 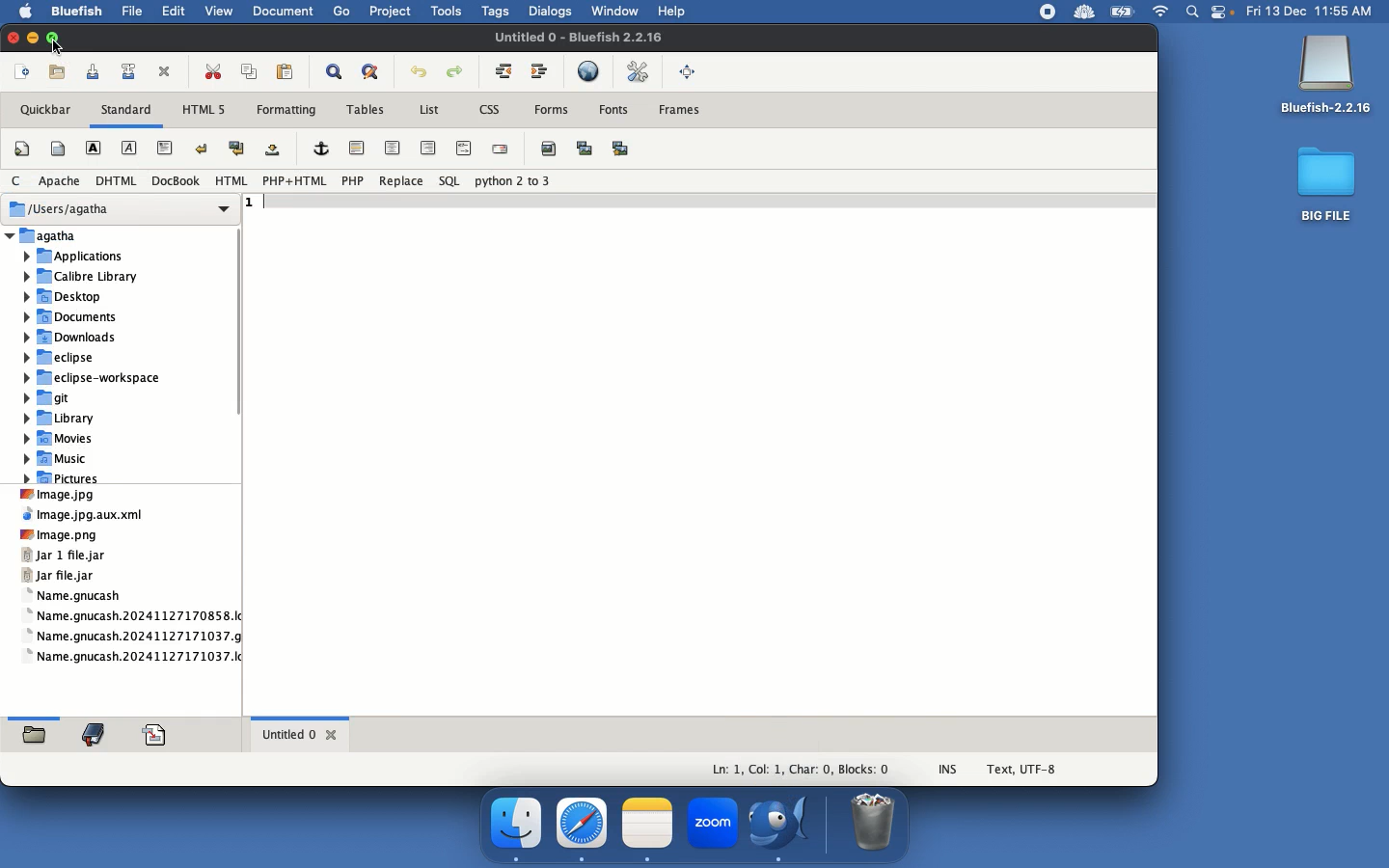 What do you see at coordinates (1327, 188) in the screenshot?
I see `big files` at bounding box center [1327, 188].